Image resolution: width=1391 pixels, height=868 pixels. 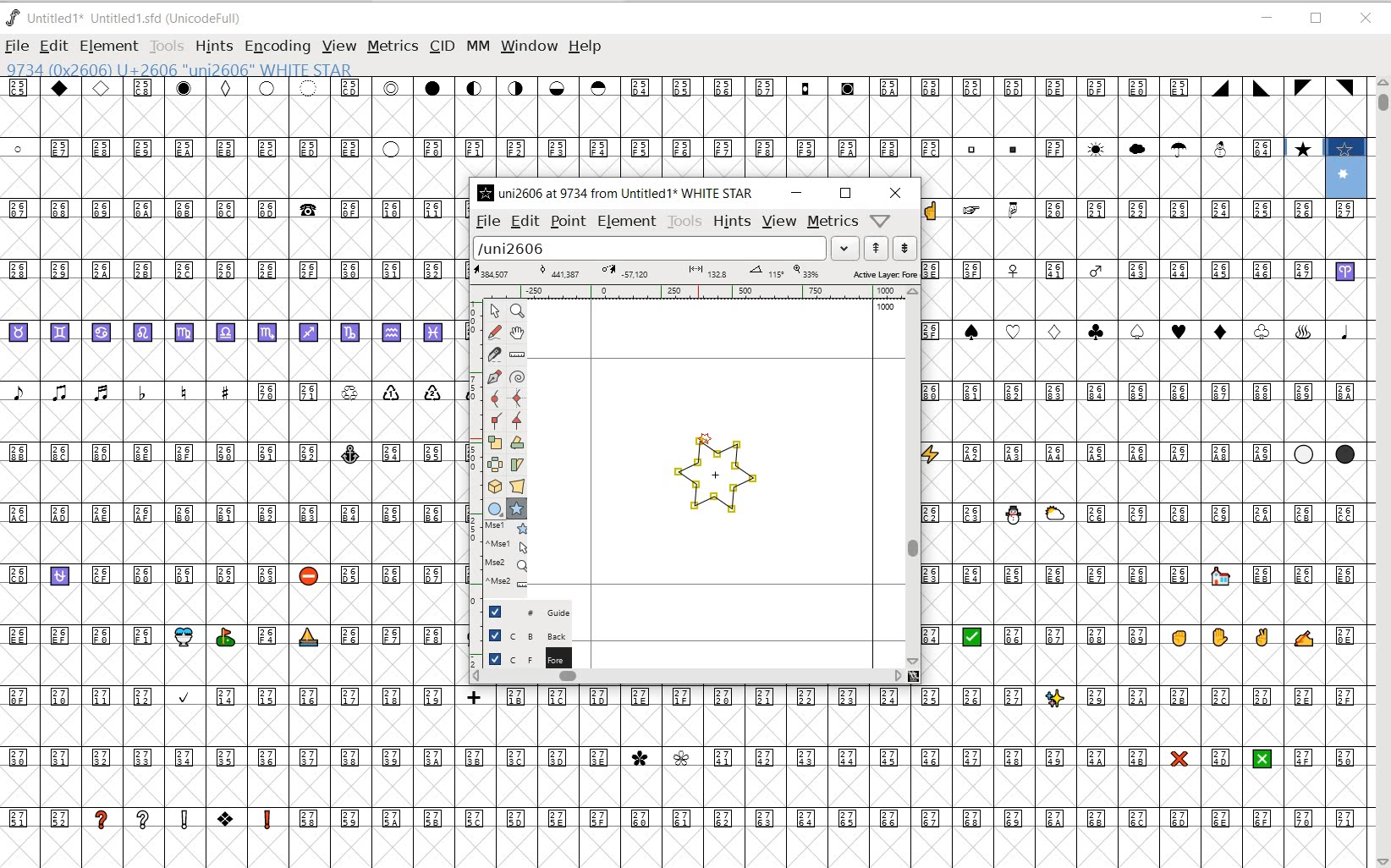 What do you see at coordinates (1348, 170) in the screenshot?
I see `glyph slot` at bounding box center [1348, 170].